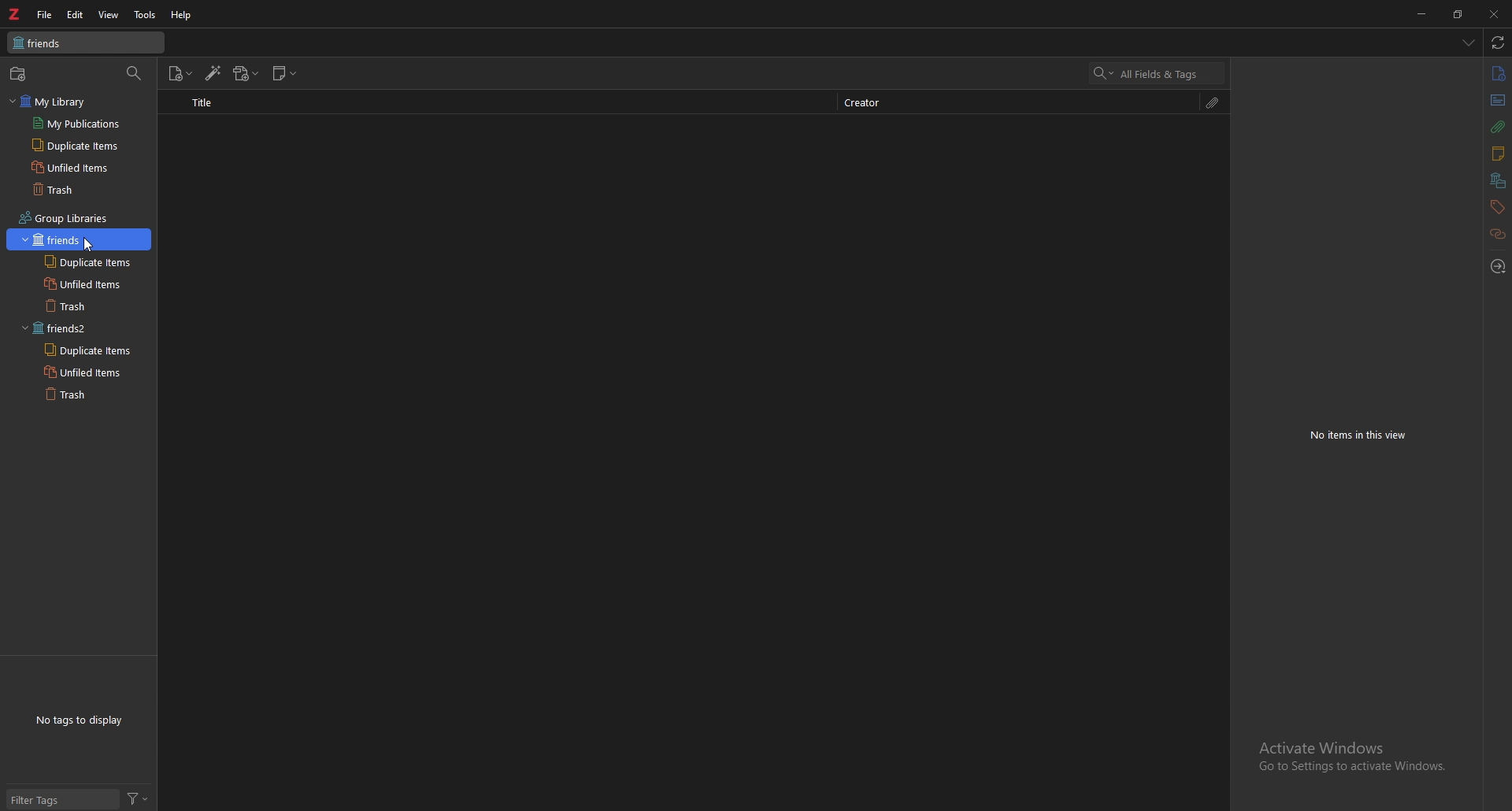 The image size is (1512, 811). Describe the element at coordinates (1499, 43) in the screenshot. I see `sync with zotero.org` at that location.